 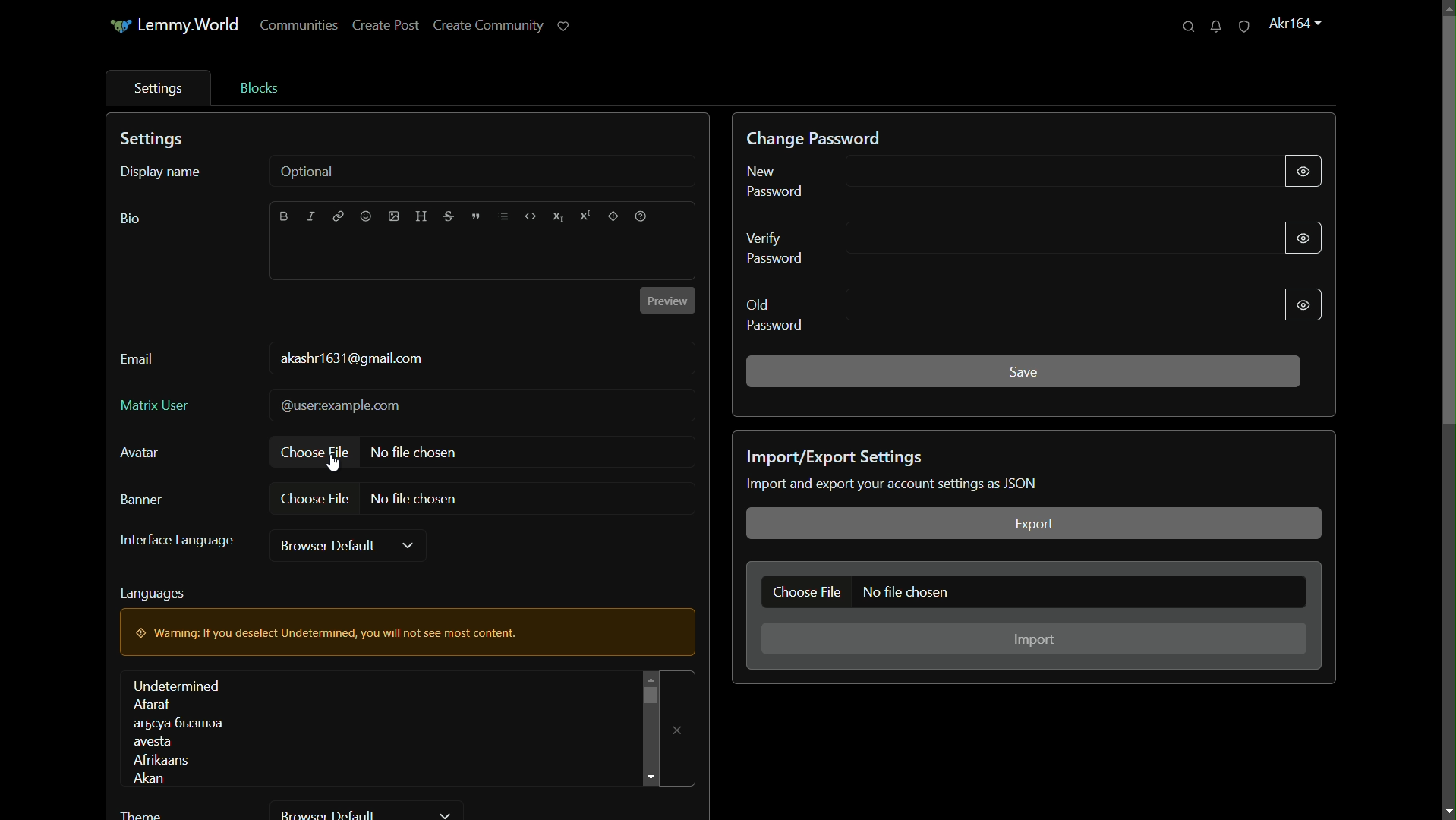 I want to click on scroll bar, so click(x=1447, y=221).